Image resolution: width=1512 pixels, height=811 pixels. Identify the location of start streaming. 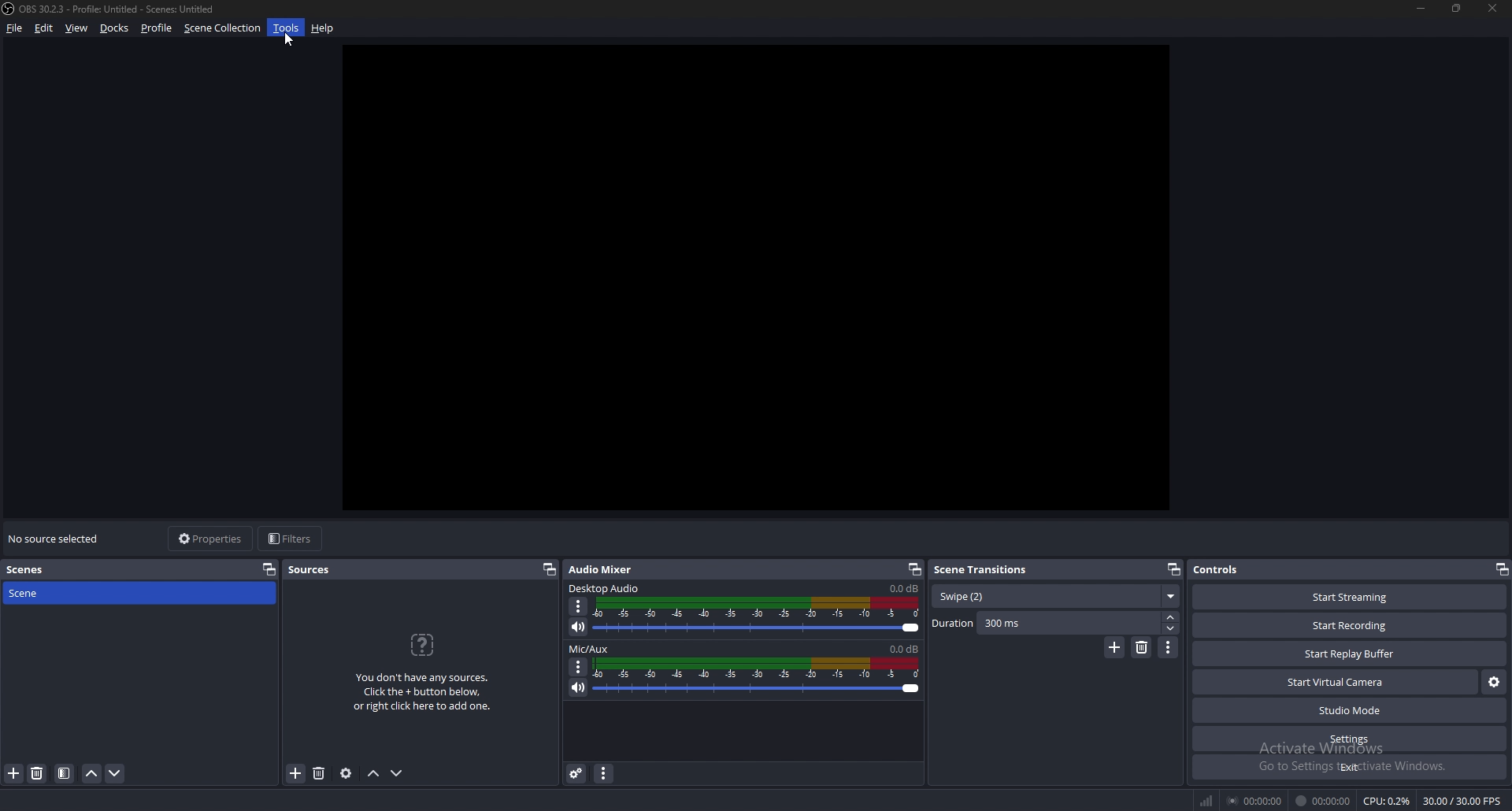
(1351, 597).